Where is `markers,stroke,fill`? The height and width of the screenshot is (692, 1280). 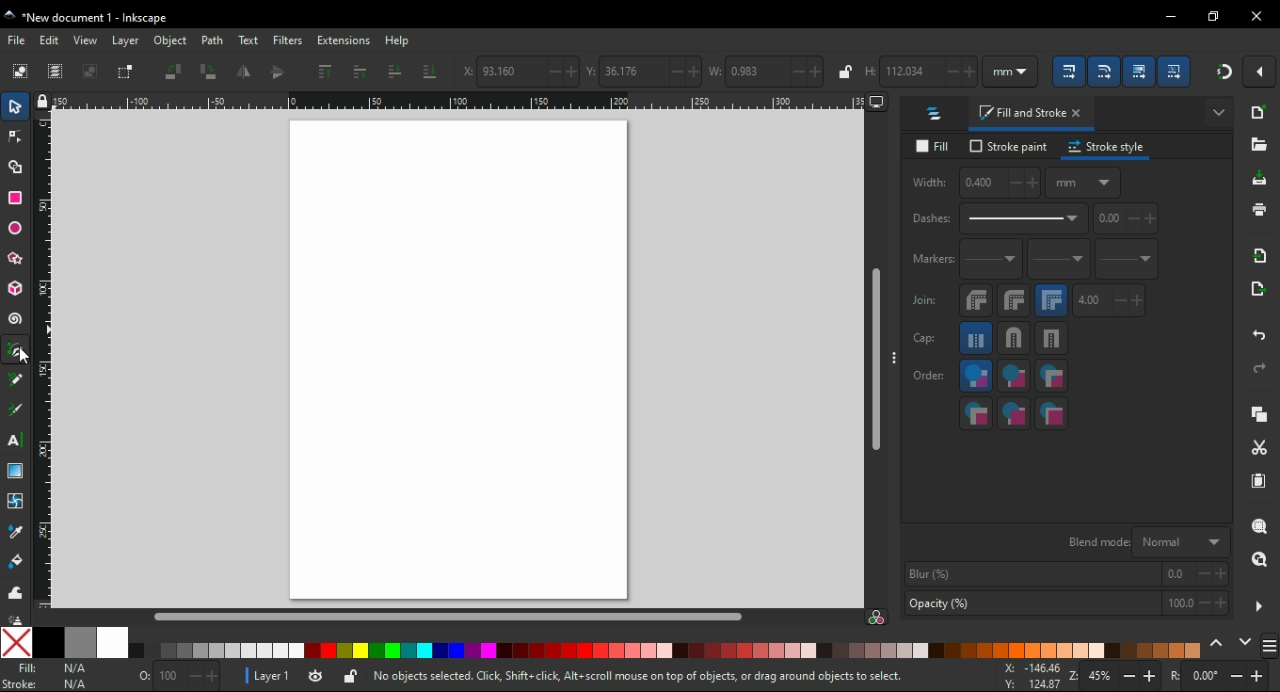 markers,stroke,fill is located at coordinates (1052, 414).